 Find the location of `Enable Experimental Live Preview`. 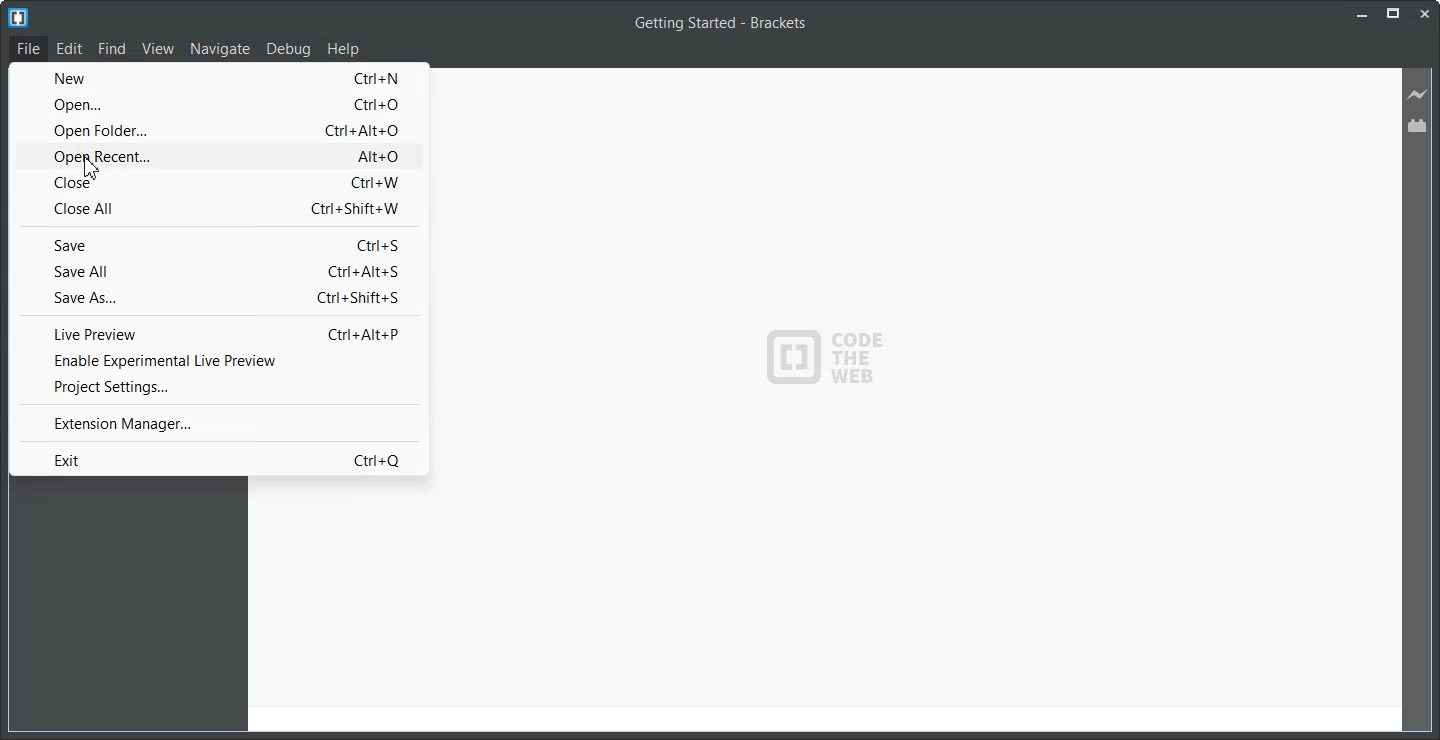

Enable Experimental Live Preview is located at coordinates (220, 360).